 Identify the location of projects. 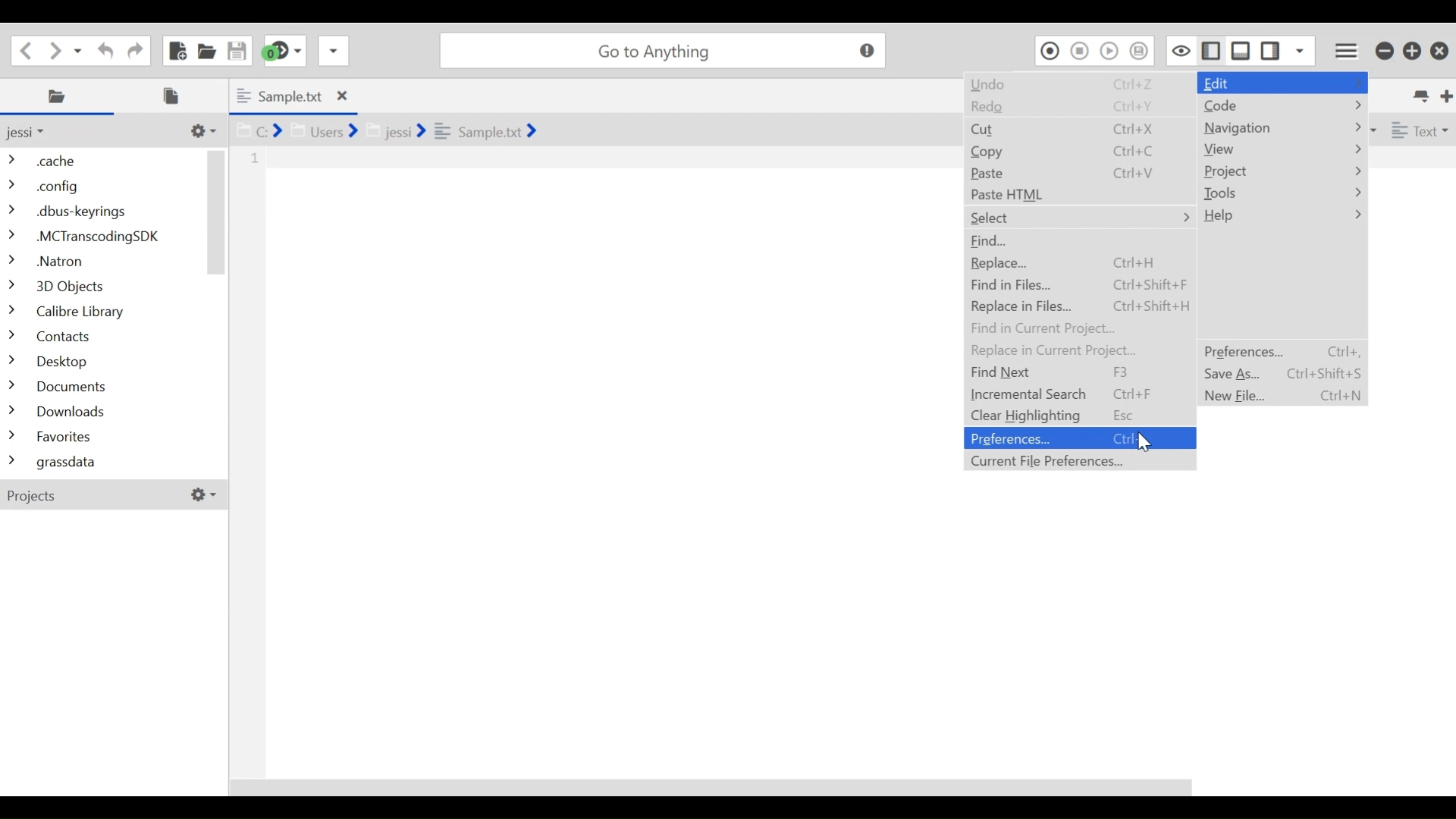
(113, 494).